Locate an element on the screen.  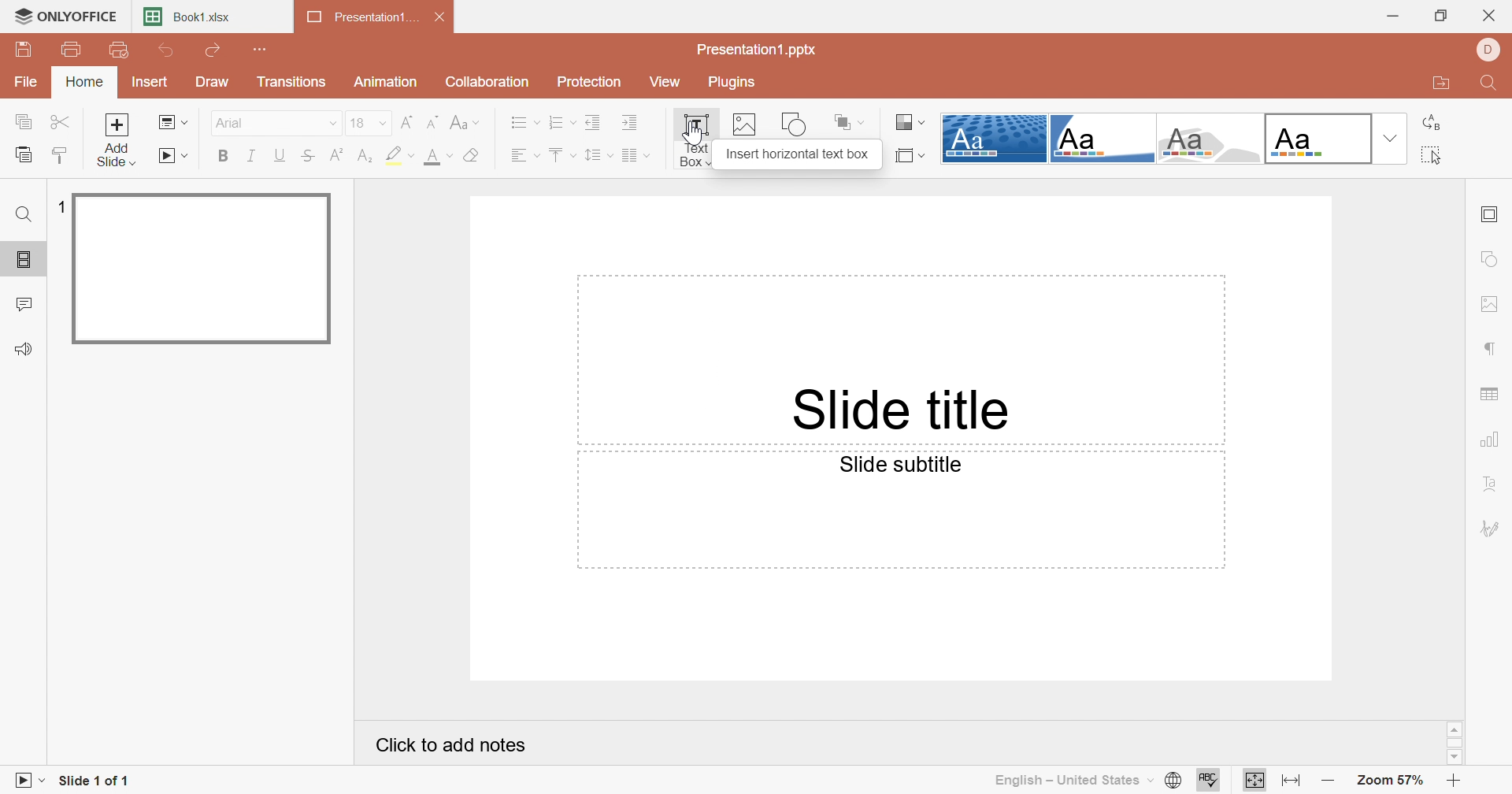
Fit to slide is located at coordinates (1253, 779).